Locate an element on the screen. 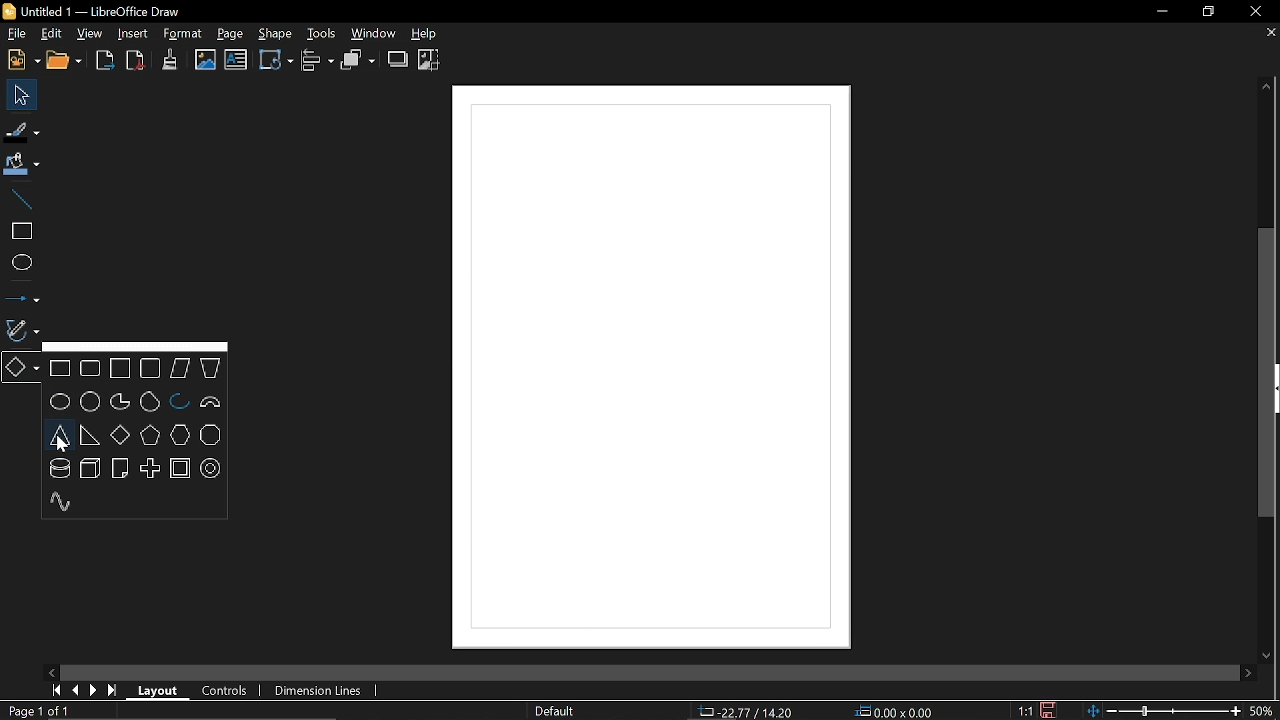  Line is located at coordinates (19, 198).